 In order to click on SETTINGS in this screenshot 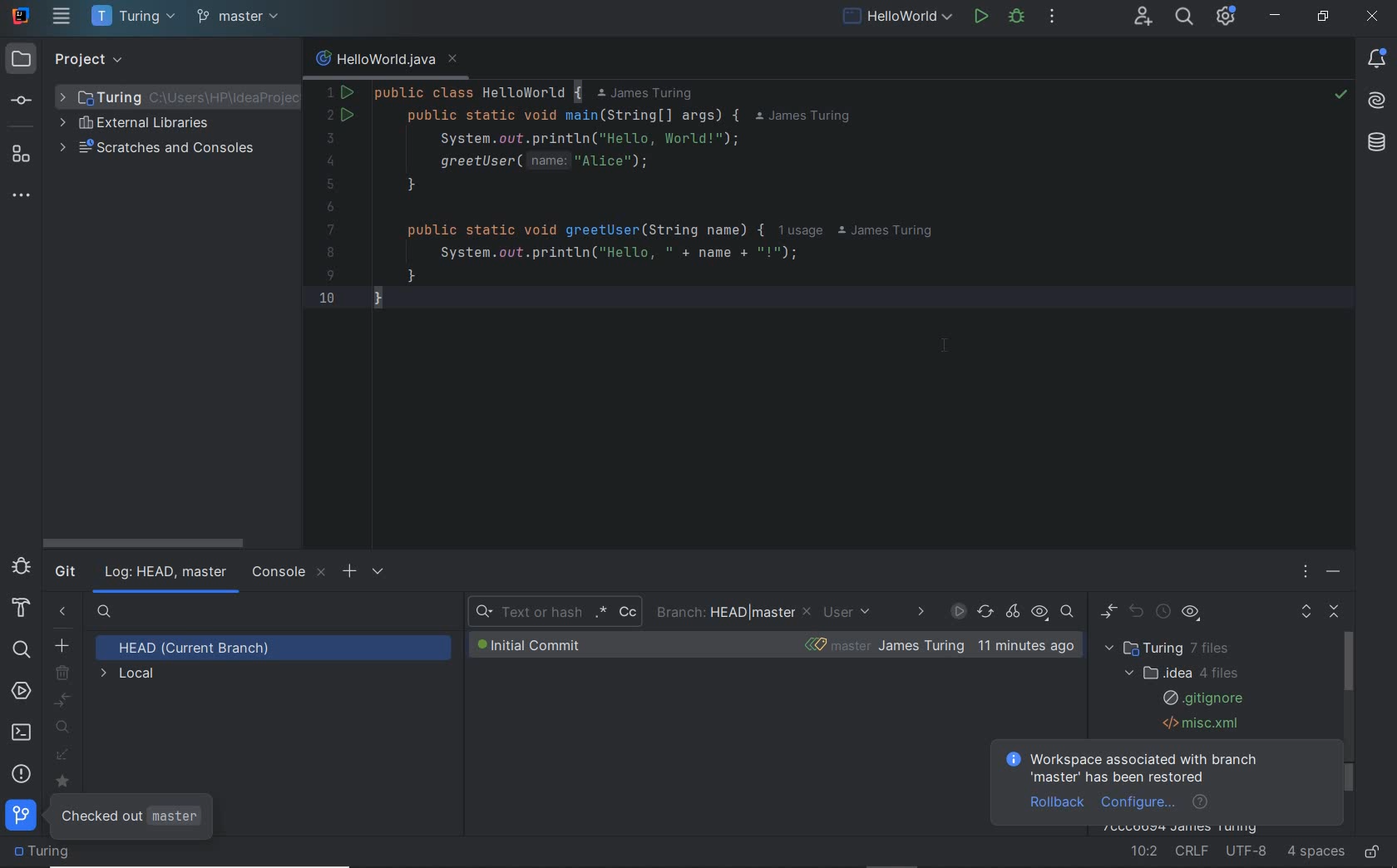, I will do `click(379, 570)`.